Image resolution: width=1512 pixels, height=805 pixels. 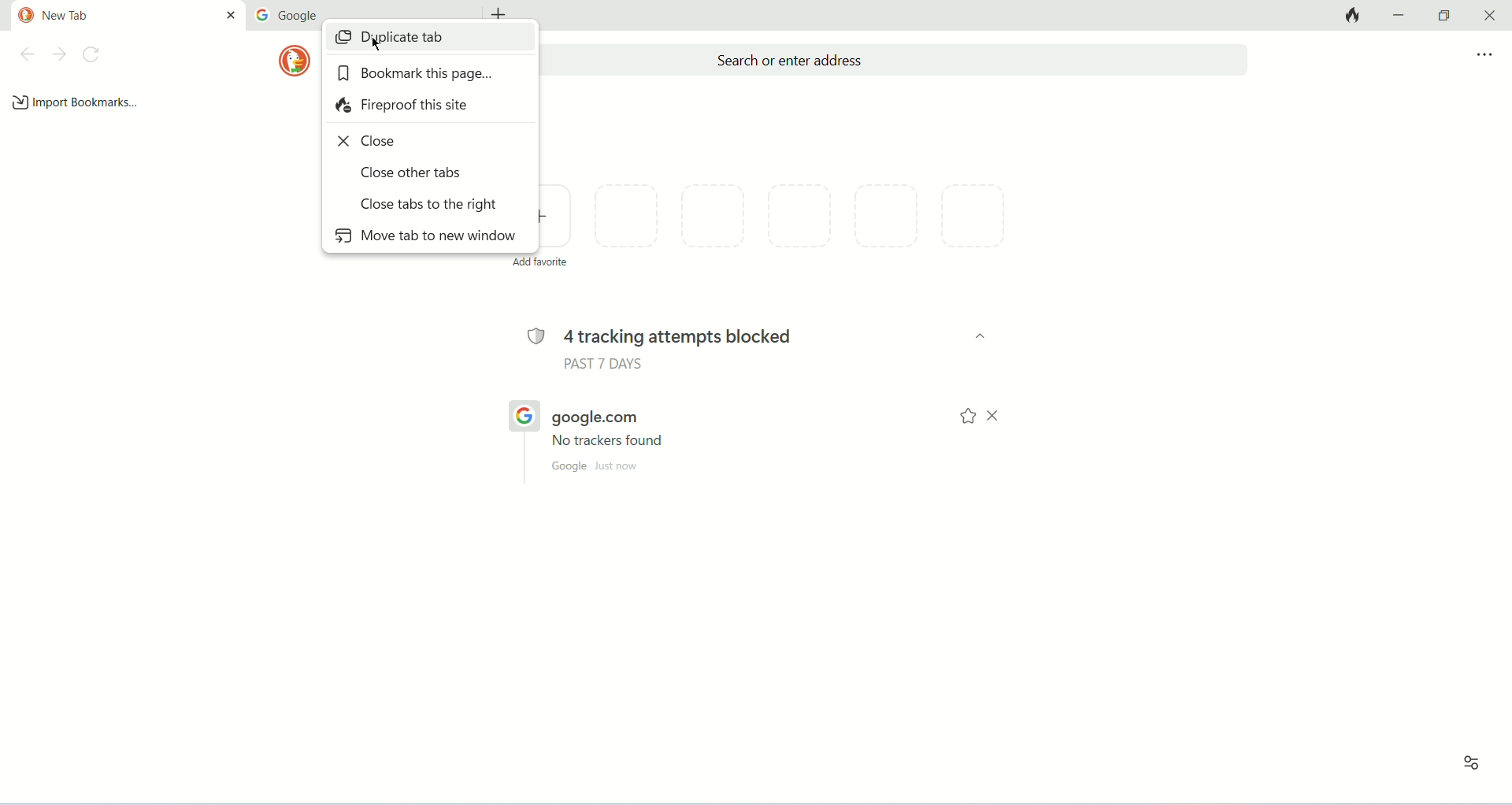 I want to click on 4 tracking attempts blocked, so click(x=702, y=336).